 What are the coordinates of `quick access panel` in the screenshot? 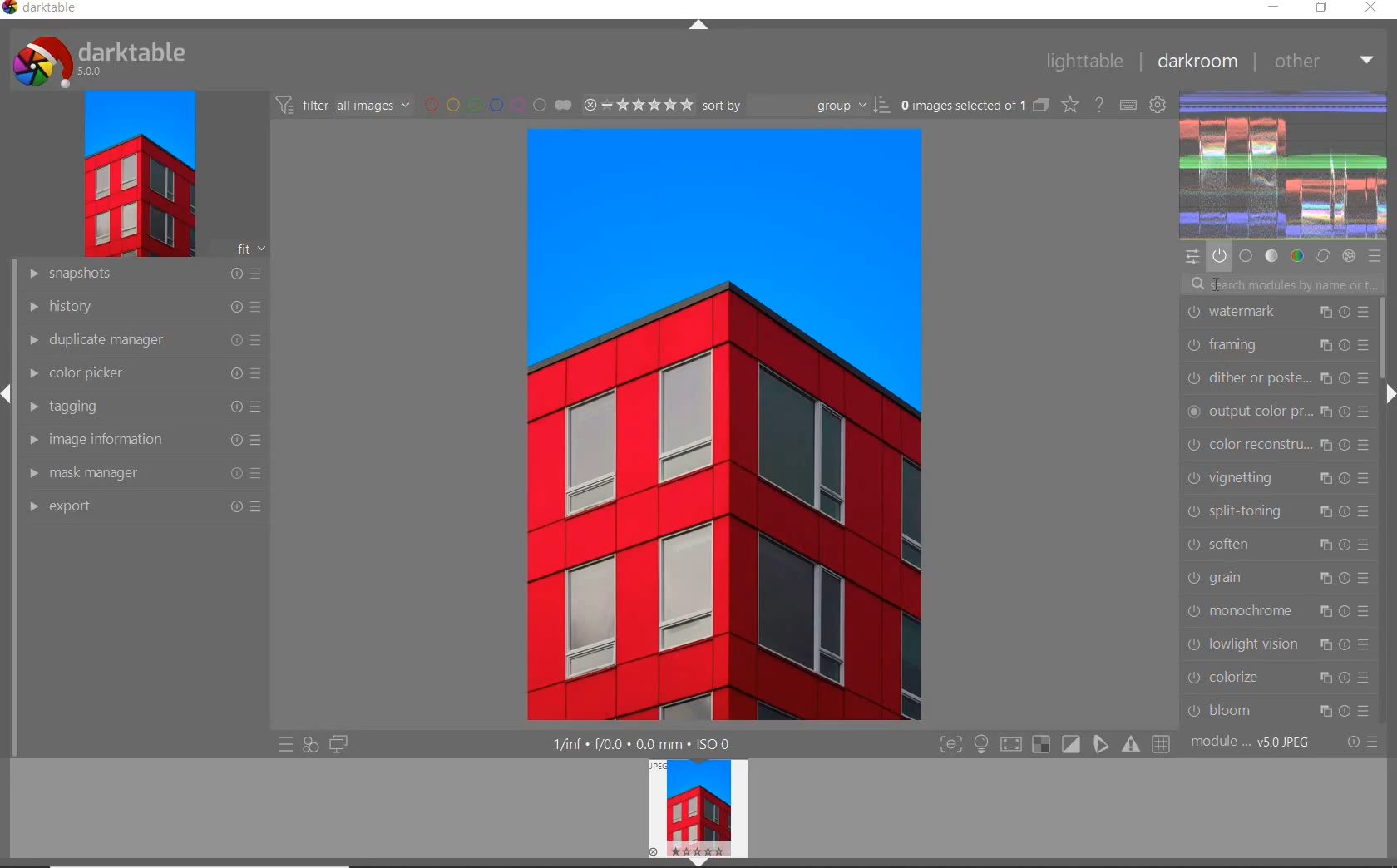 It's located at (1193, 257).